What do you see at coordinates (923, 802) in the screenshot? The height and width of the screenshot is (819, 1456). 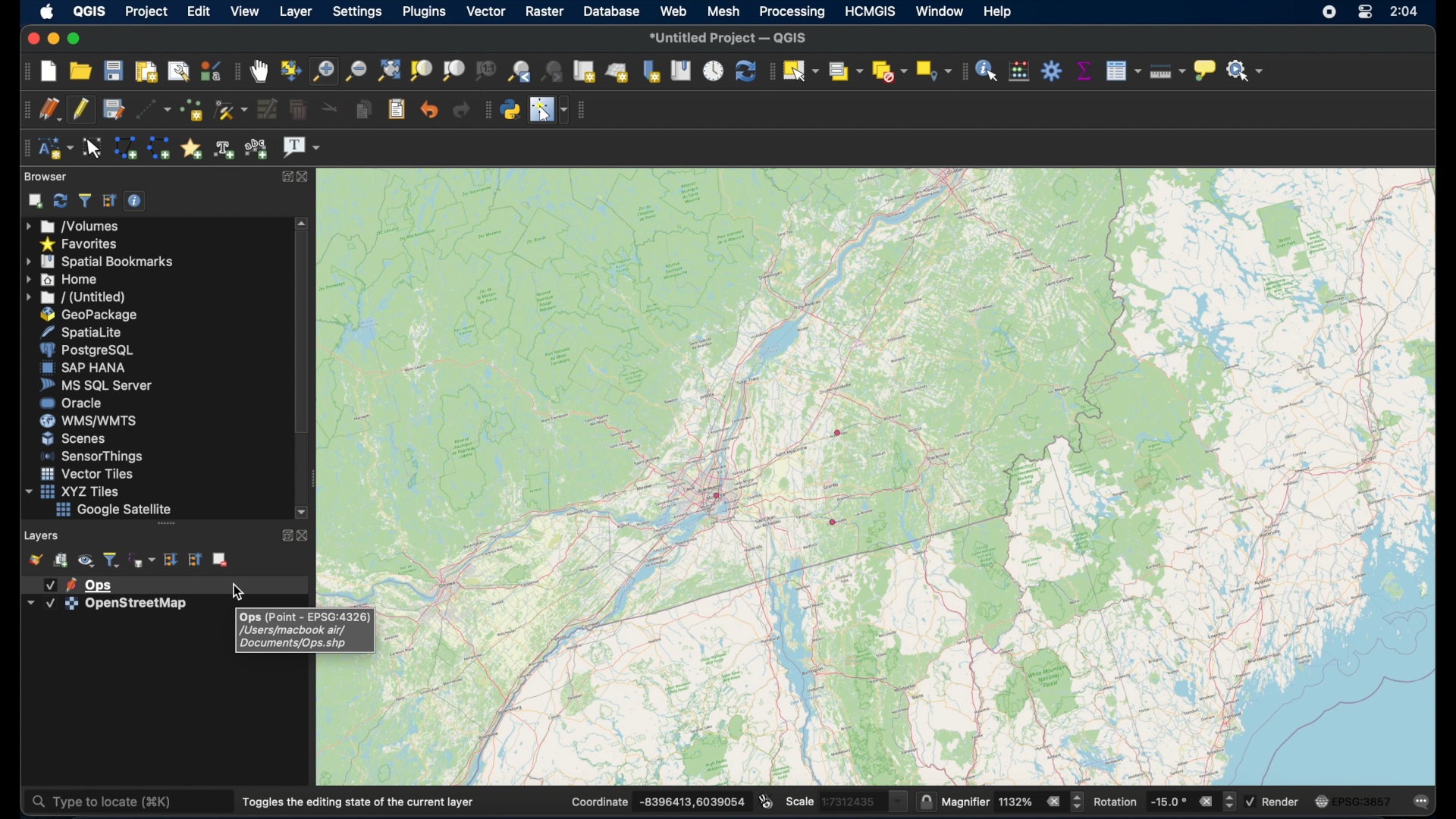 I see `lock scale` at bounding box center [923, 802].